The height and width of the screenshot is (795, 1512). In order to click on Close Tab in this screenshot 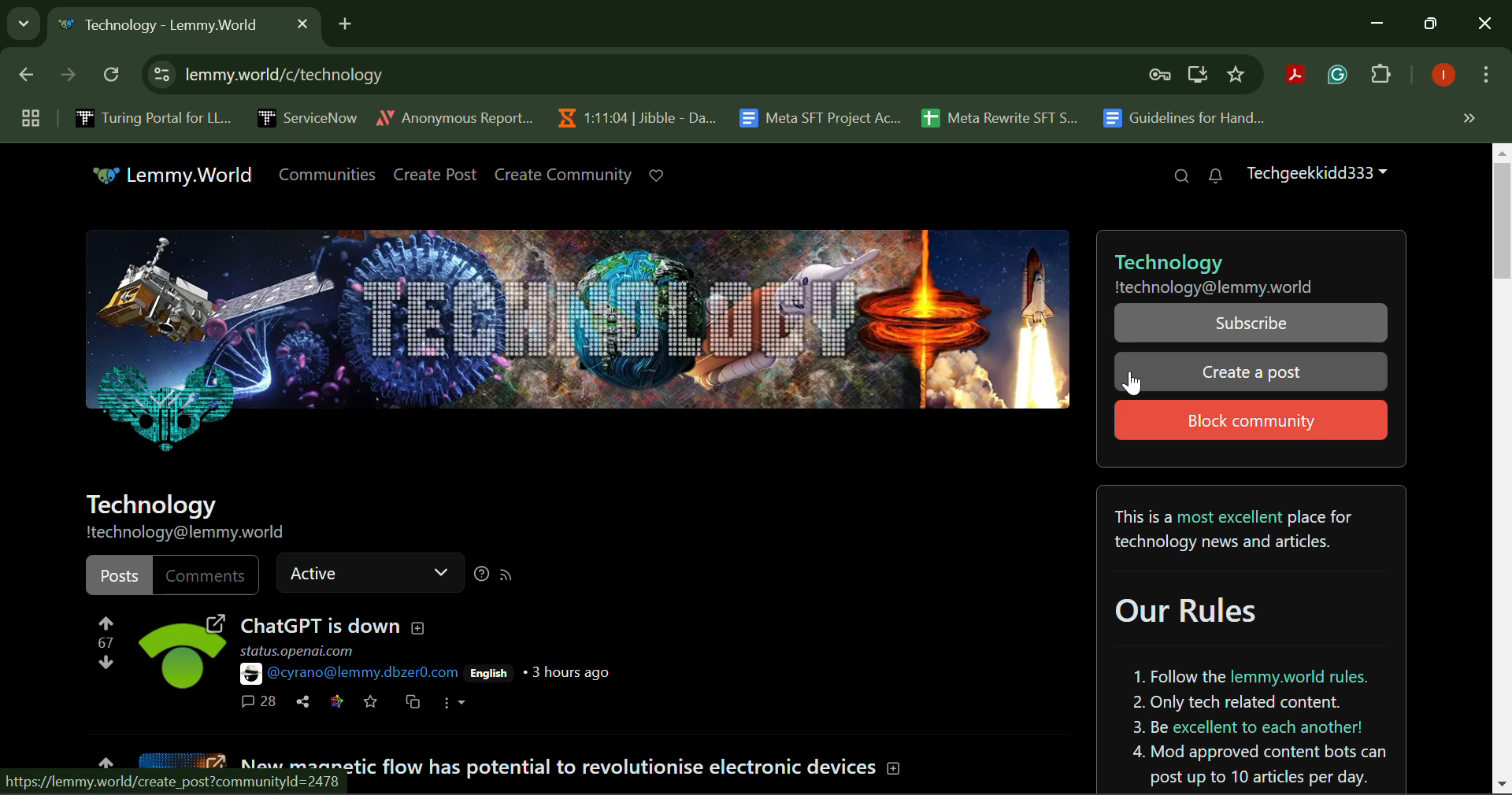, I will do `click(302, 23)`.